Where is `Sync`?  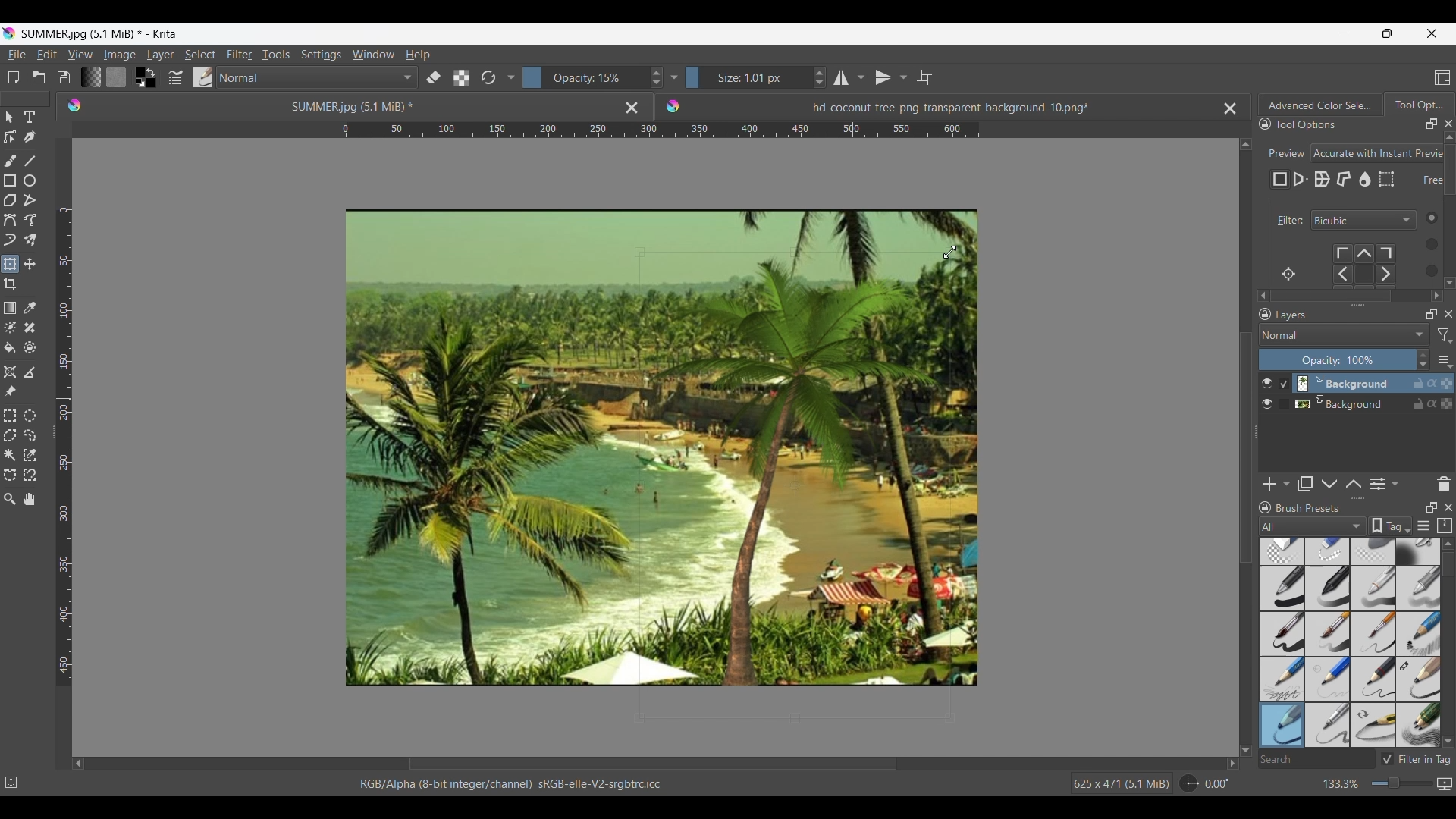
Sync is located at coordinates (1434, 383).